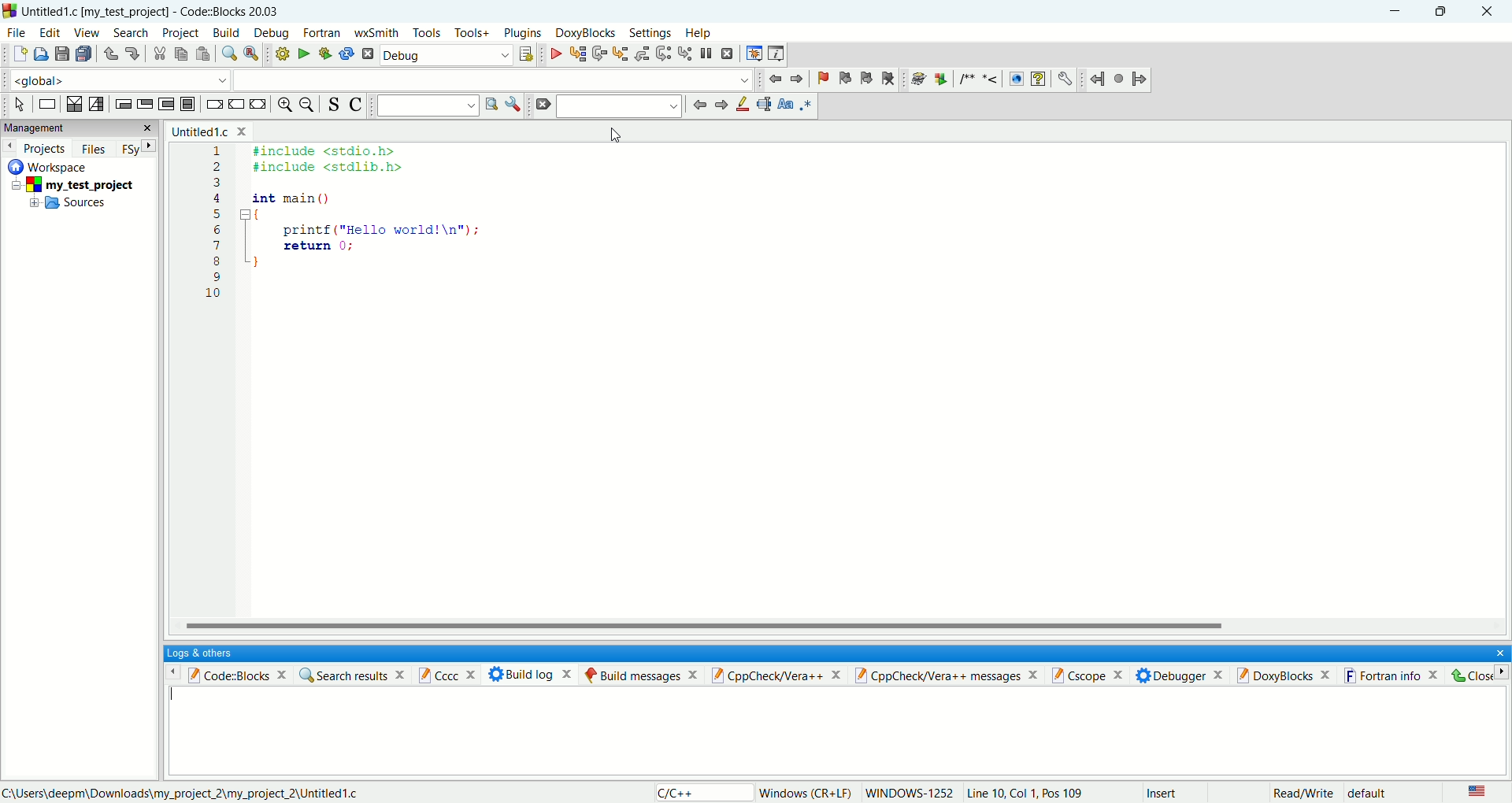  What do you see at coordinates (1183, 675) in the screenshot?
I see `debugger` at bounding box center [1183, 675].